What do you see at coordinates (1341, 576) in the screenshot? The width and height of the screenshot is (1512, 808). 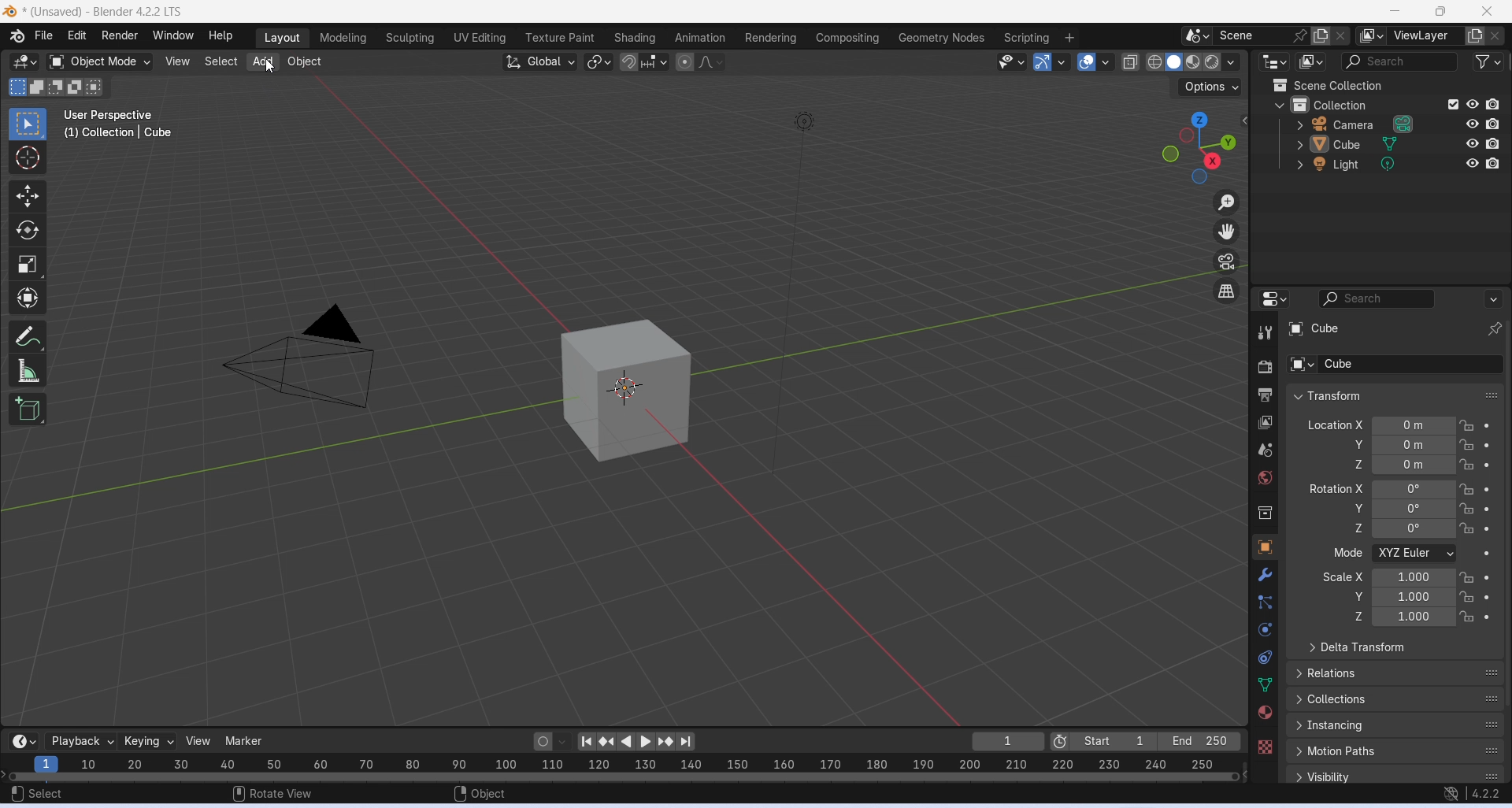 I see `scale x` at bounding box center [1341, 576].